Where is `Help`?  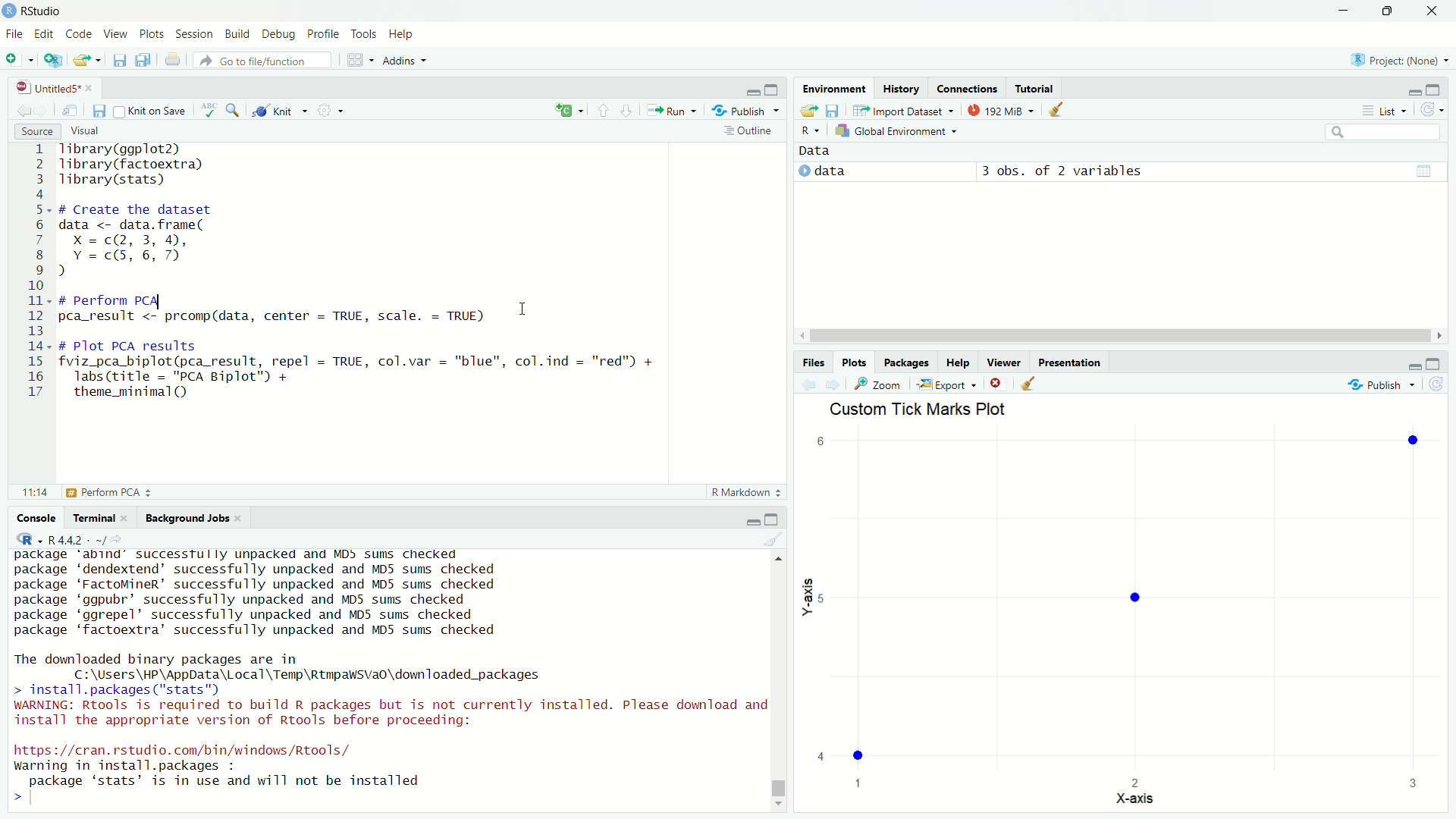
Help is located at coordinates (403, 34).